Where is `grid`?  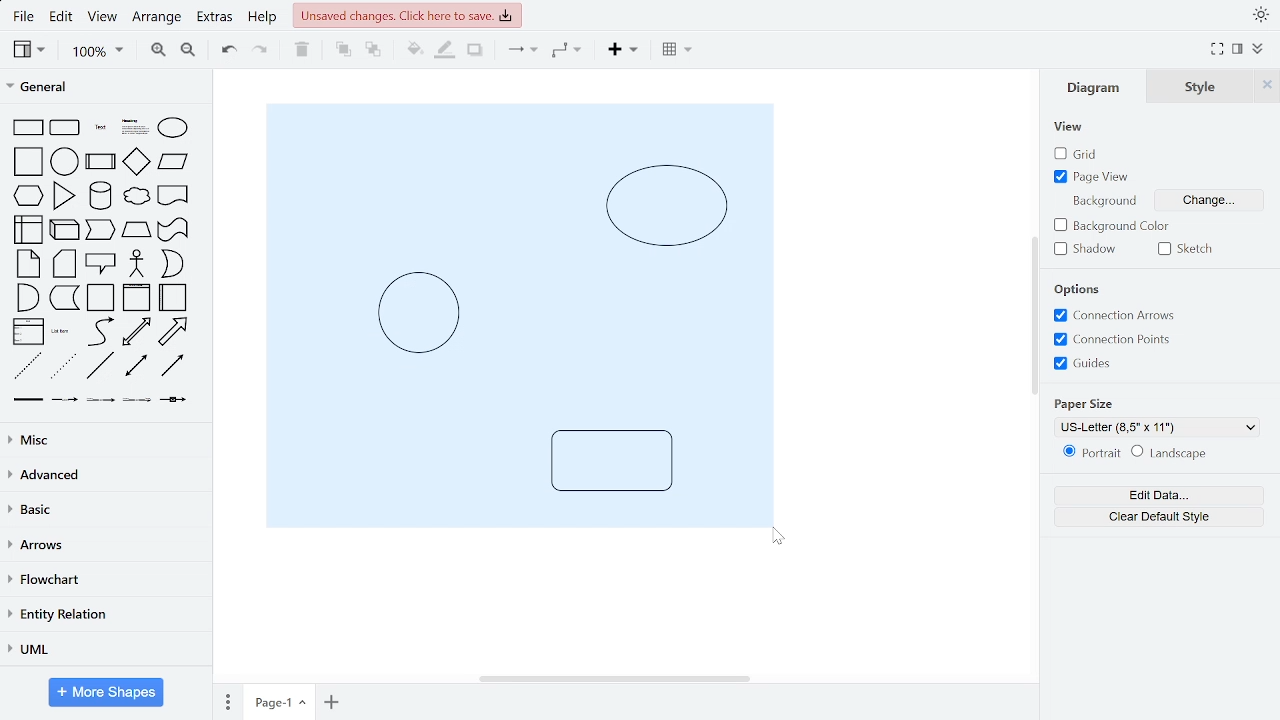 grid is located at coordinates (1078, 154).